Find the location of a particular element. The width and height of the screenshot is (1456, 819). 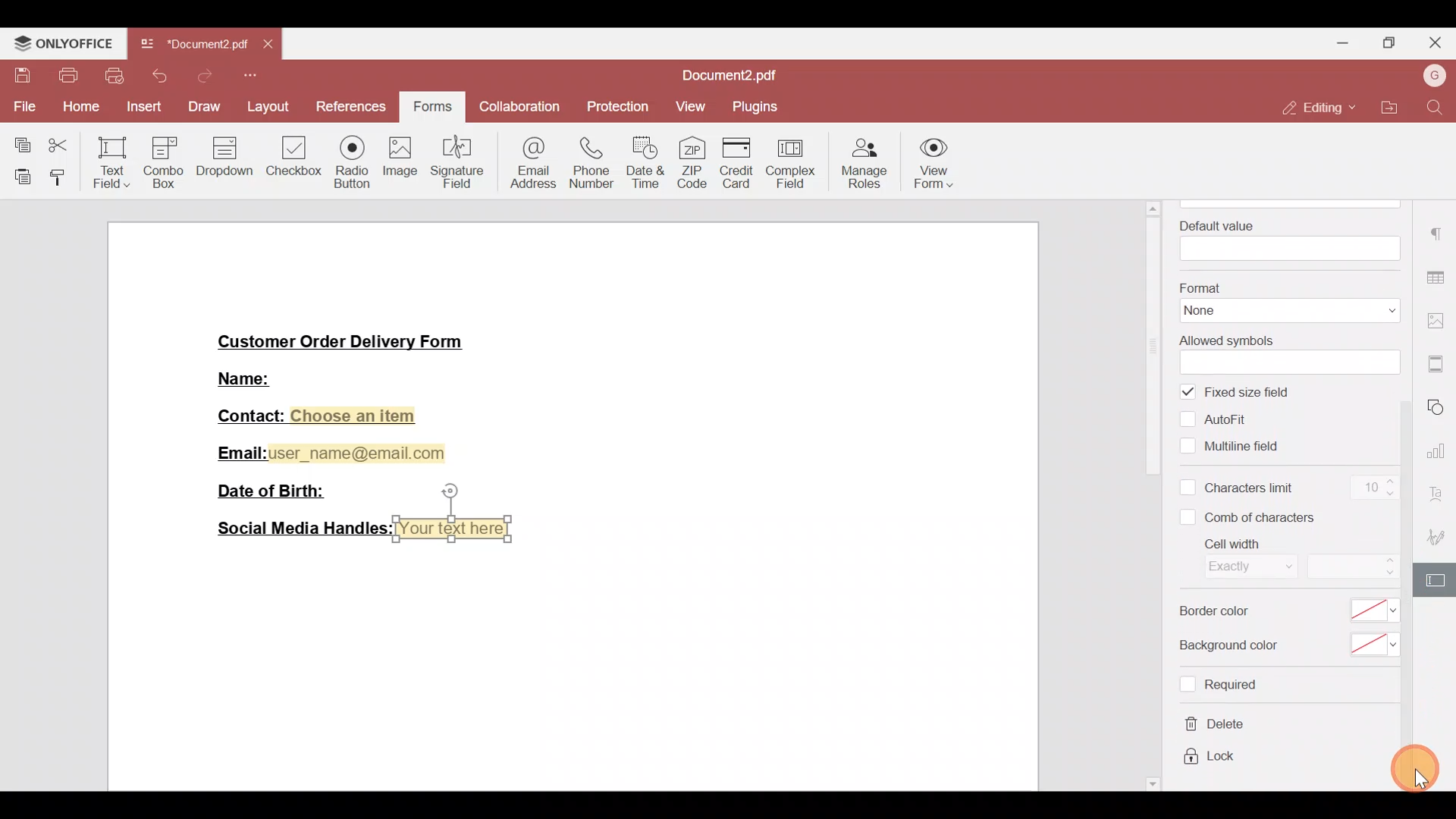

Cell width is located at coordinates (1236, 559).